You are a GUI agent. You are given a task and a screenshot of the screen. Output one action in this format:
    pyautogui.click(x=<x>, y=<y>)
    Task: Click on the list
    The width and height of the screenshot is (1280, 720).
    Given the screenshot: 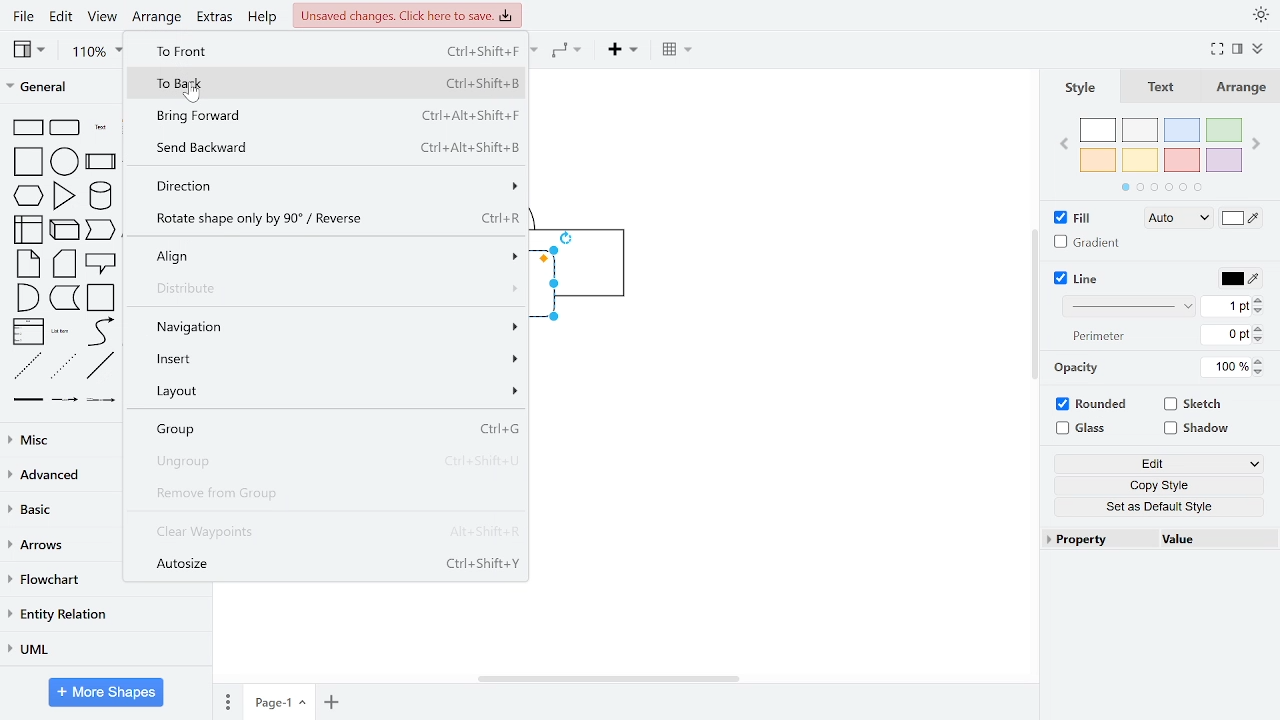 What is the action you would take?
    pyautogui.click(x=26, y=332)
    